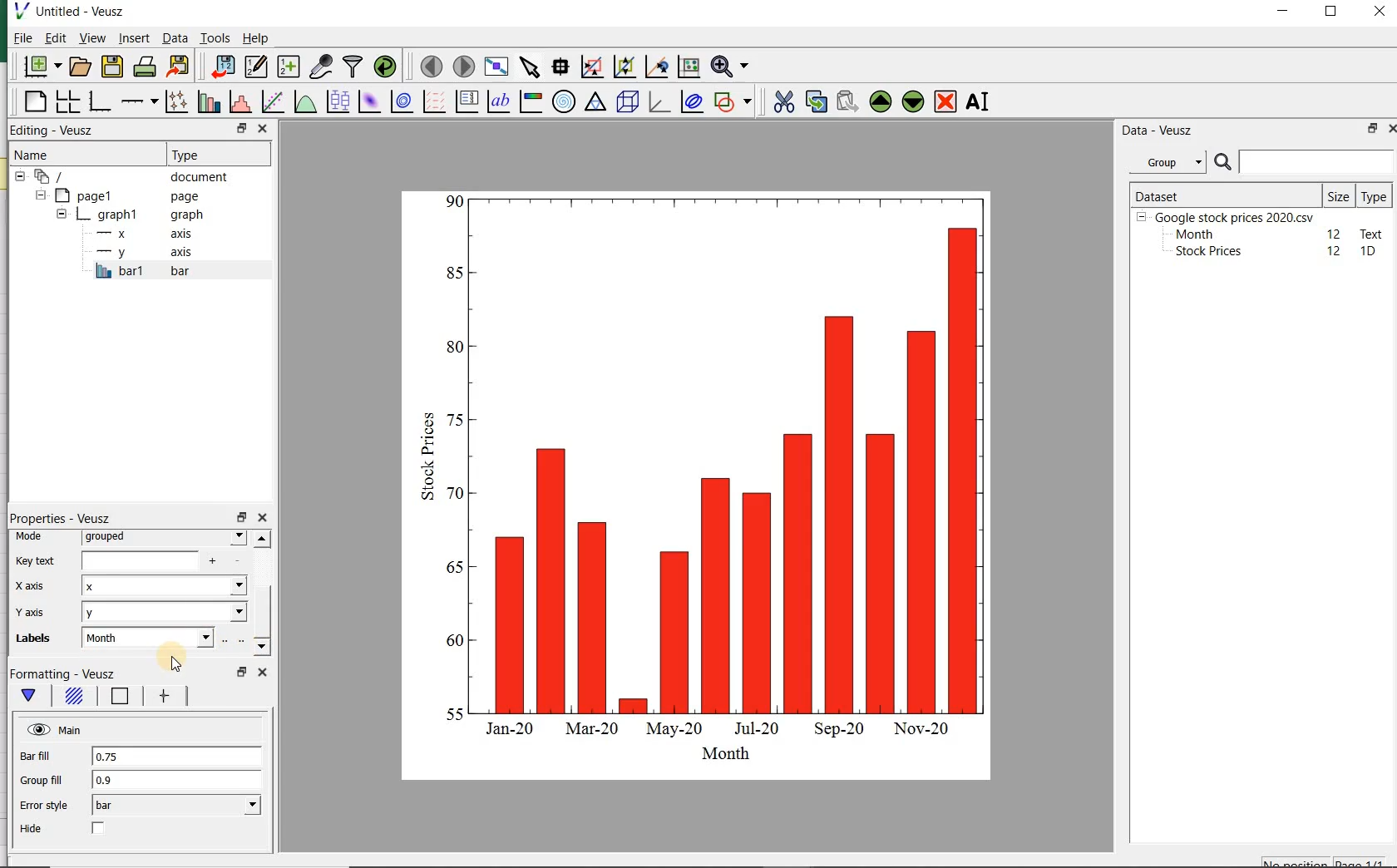 This screenshot has width=1397, height=868. What do you see at coordinates (206, 103) in the screenshot?
I see `plot bar charts` at bounding box center [206, 103].